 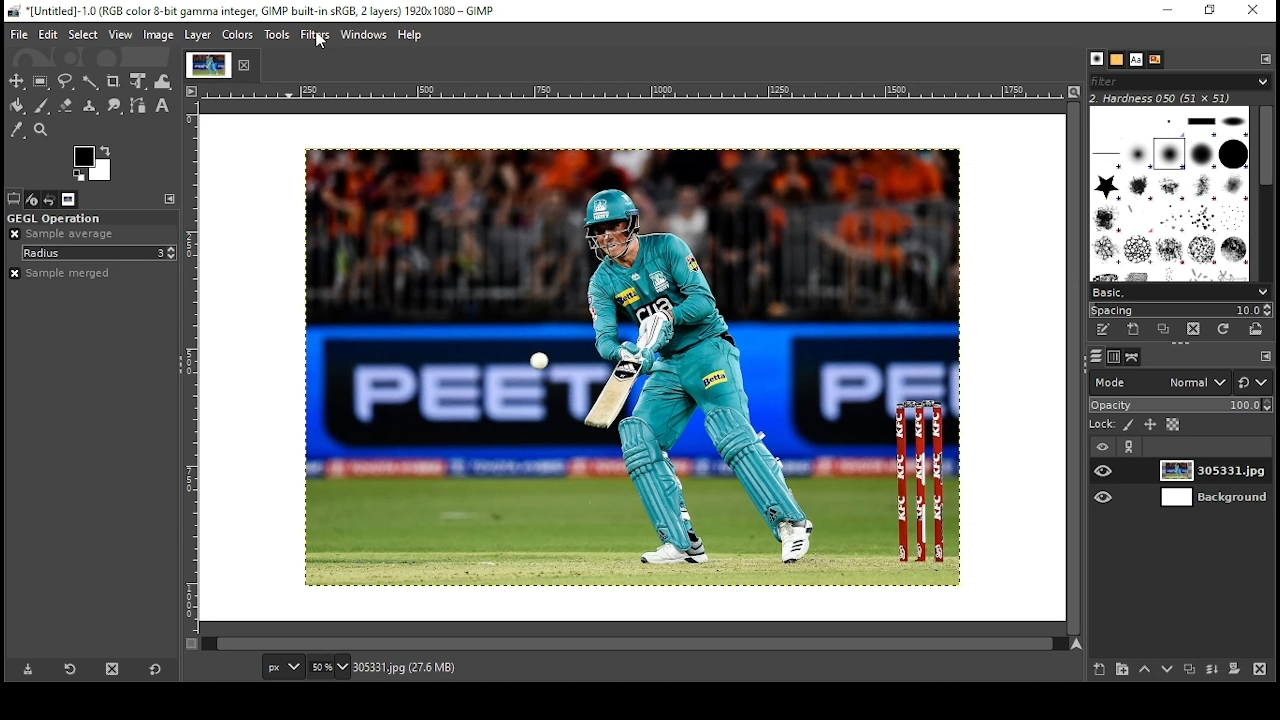 I want to click on windows, so click(x=363, y=35).